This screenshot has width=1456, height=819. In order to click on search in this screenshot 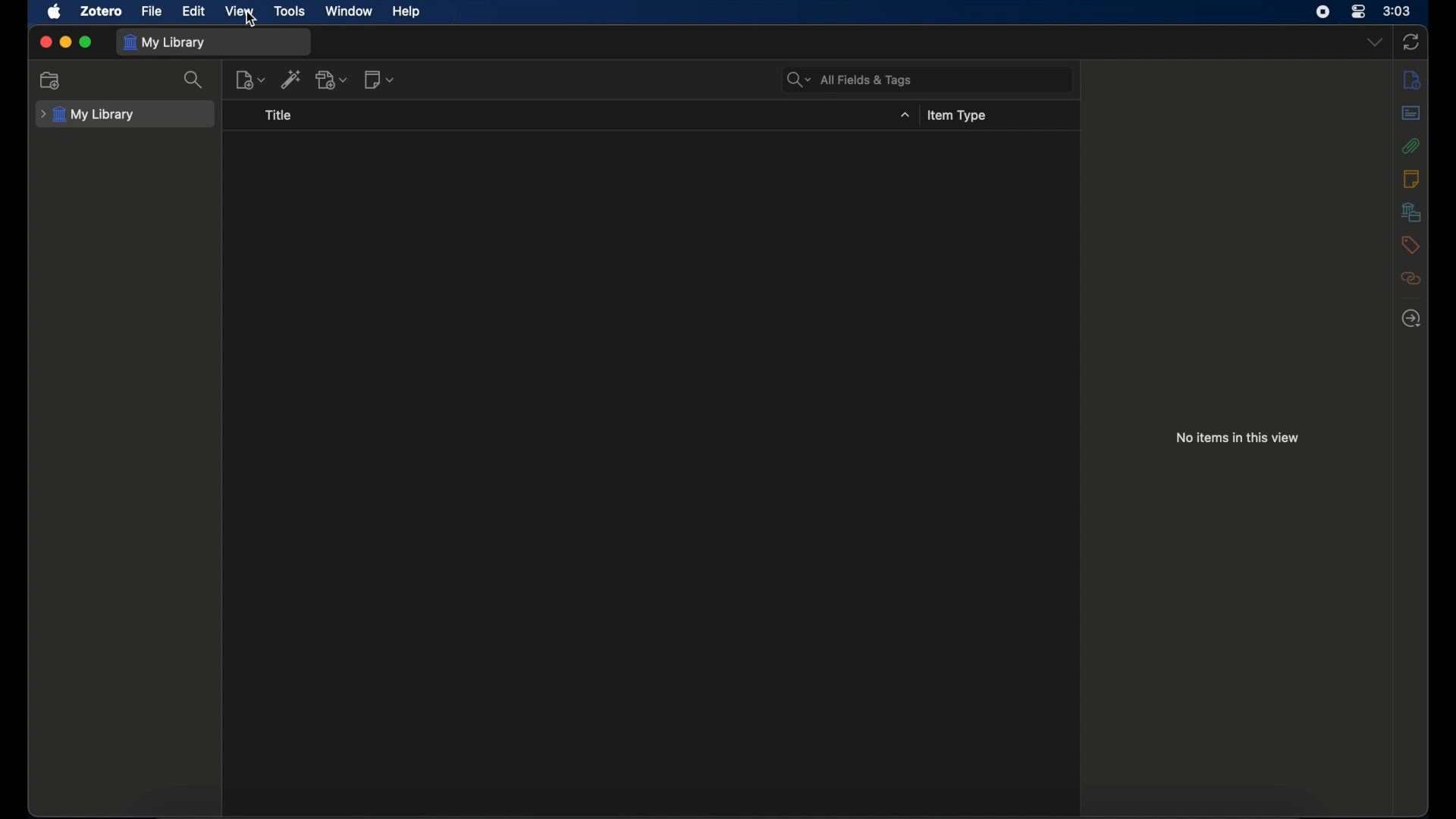, I will do `click(193, 79)`.